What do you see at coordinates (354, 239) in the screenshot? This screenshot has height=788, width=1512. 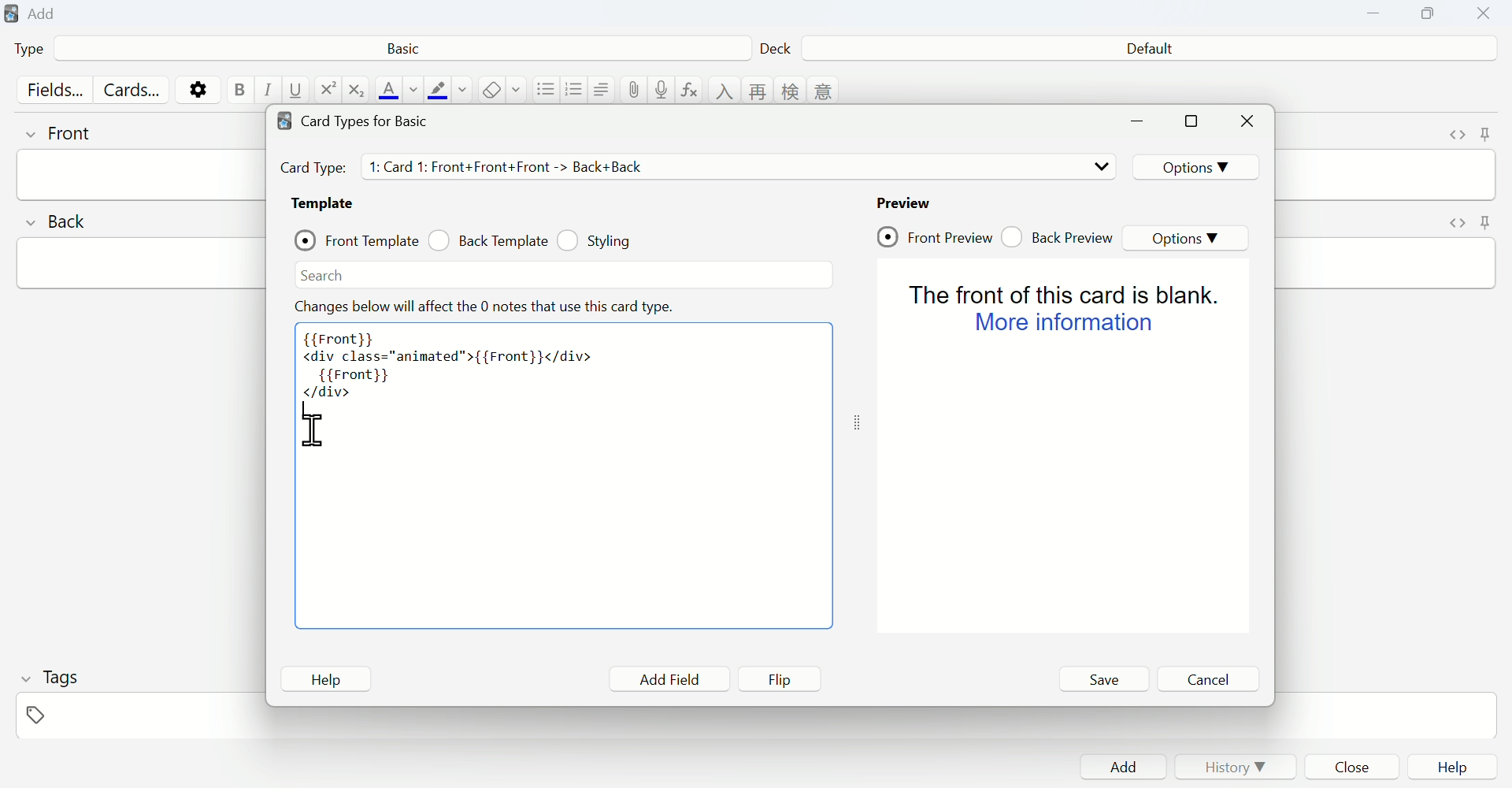 I see `Front Template` at bounding box center [354, 239].